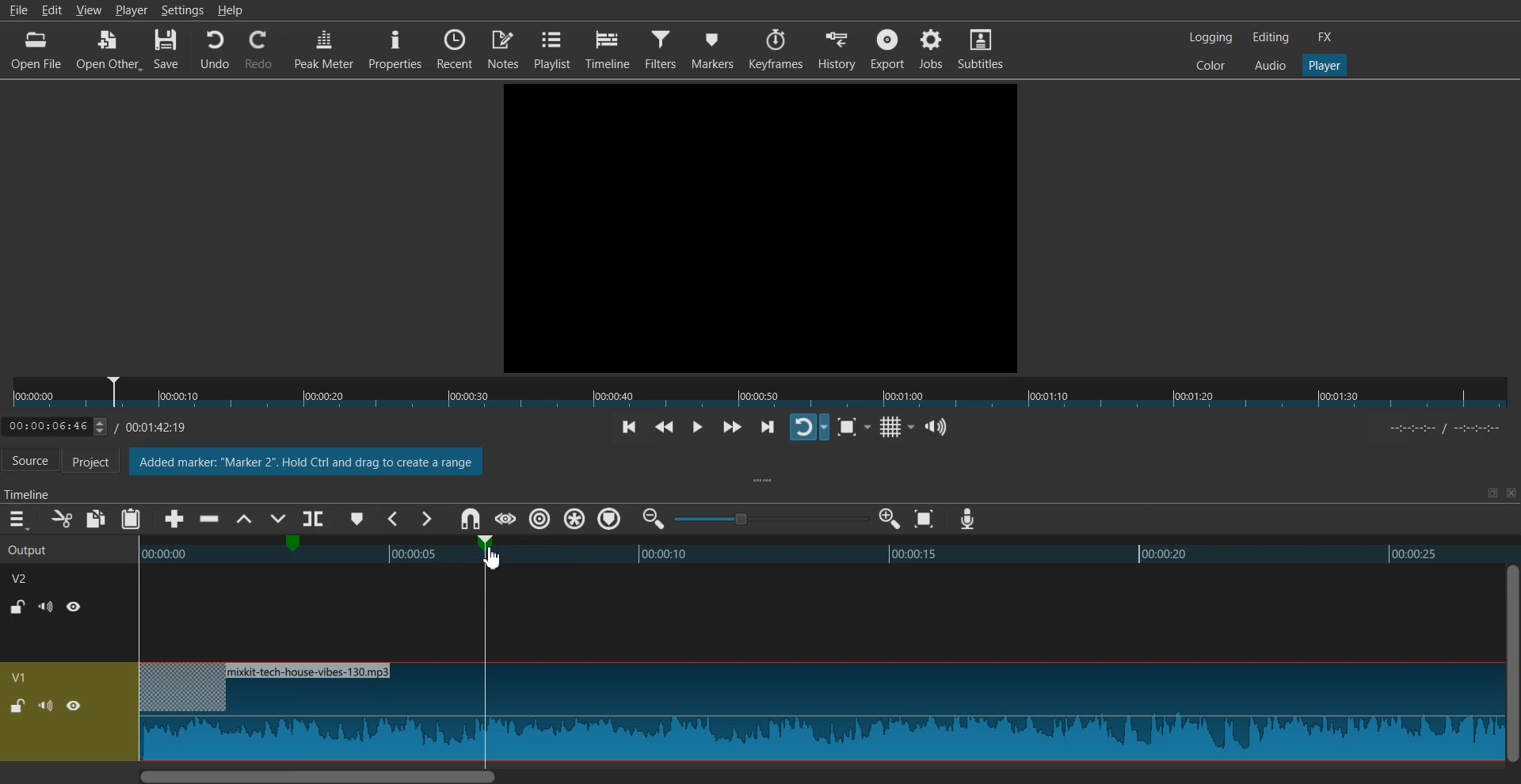 This screenshot has height=784, width=1521. I want to click on Zoom timeline in, so click(889, 519).